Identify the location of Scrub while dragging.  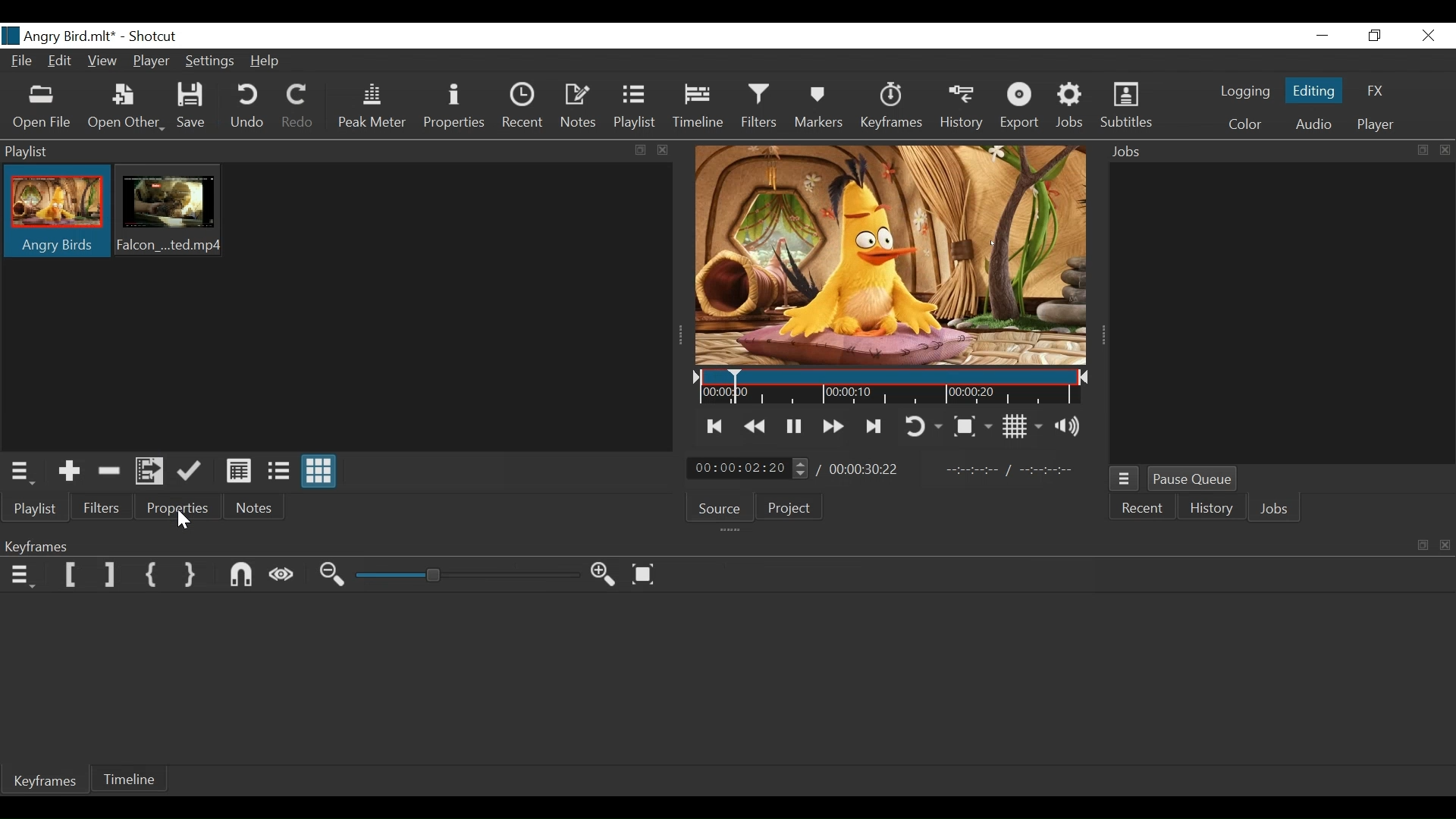
(283, 576).